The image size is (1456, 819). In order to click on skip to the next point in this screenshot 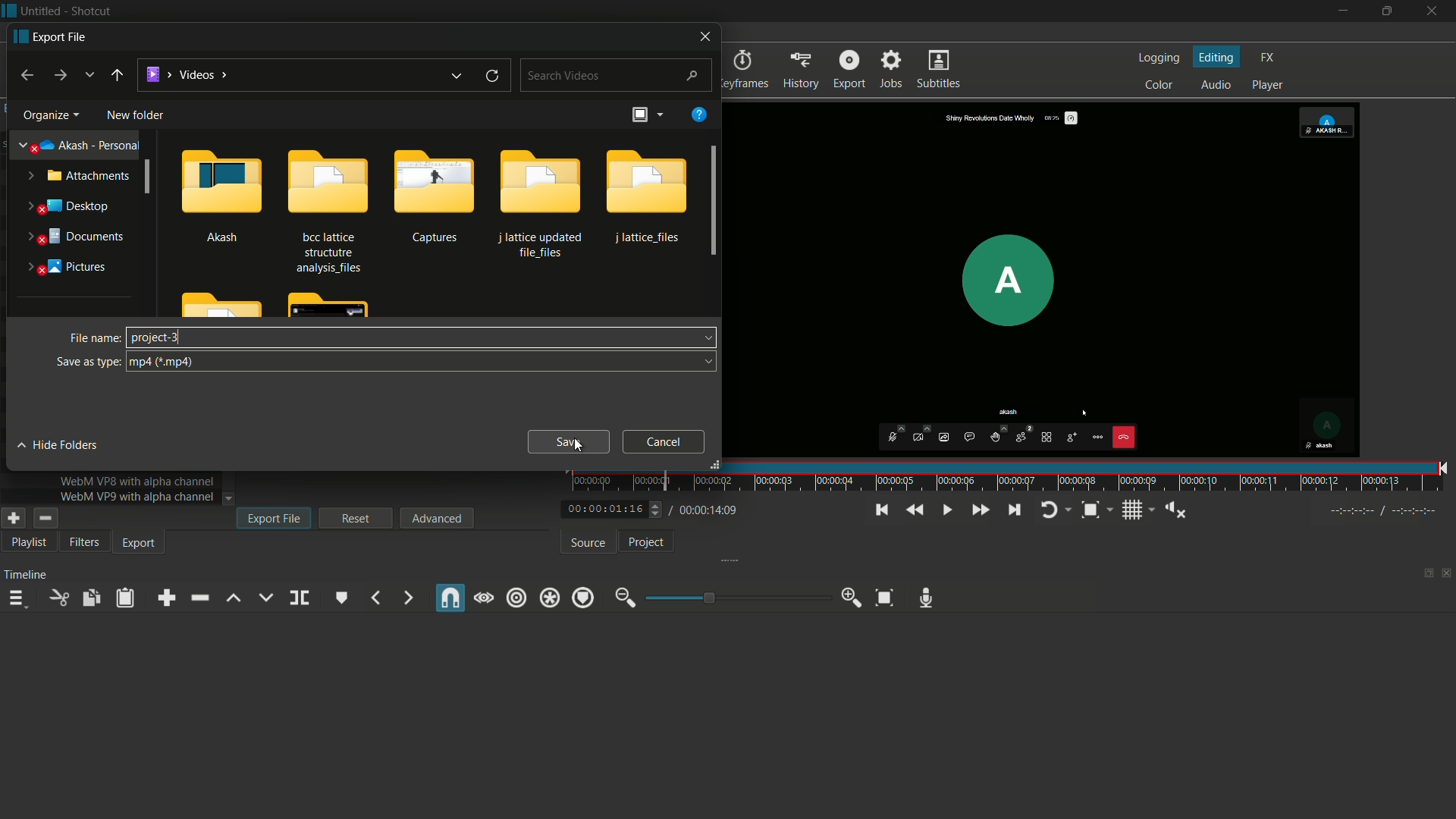, I will do `click(1016, 510)`.